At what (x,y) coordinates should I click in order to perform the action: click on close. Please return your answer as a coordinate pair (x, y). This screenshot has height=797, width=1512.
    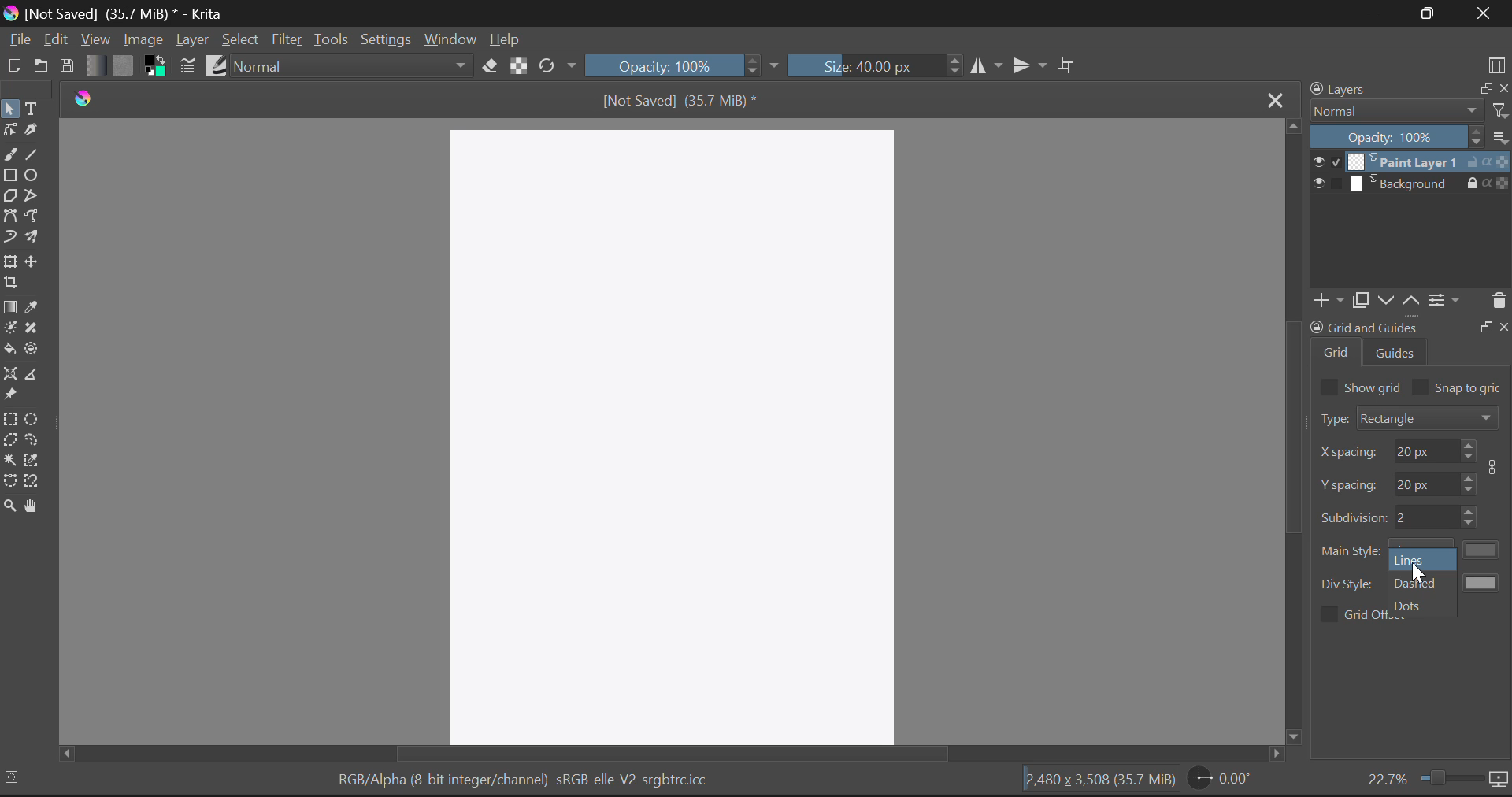
    Looking at the image, I should click on (1503, 88).